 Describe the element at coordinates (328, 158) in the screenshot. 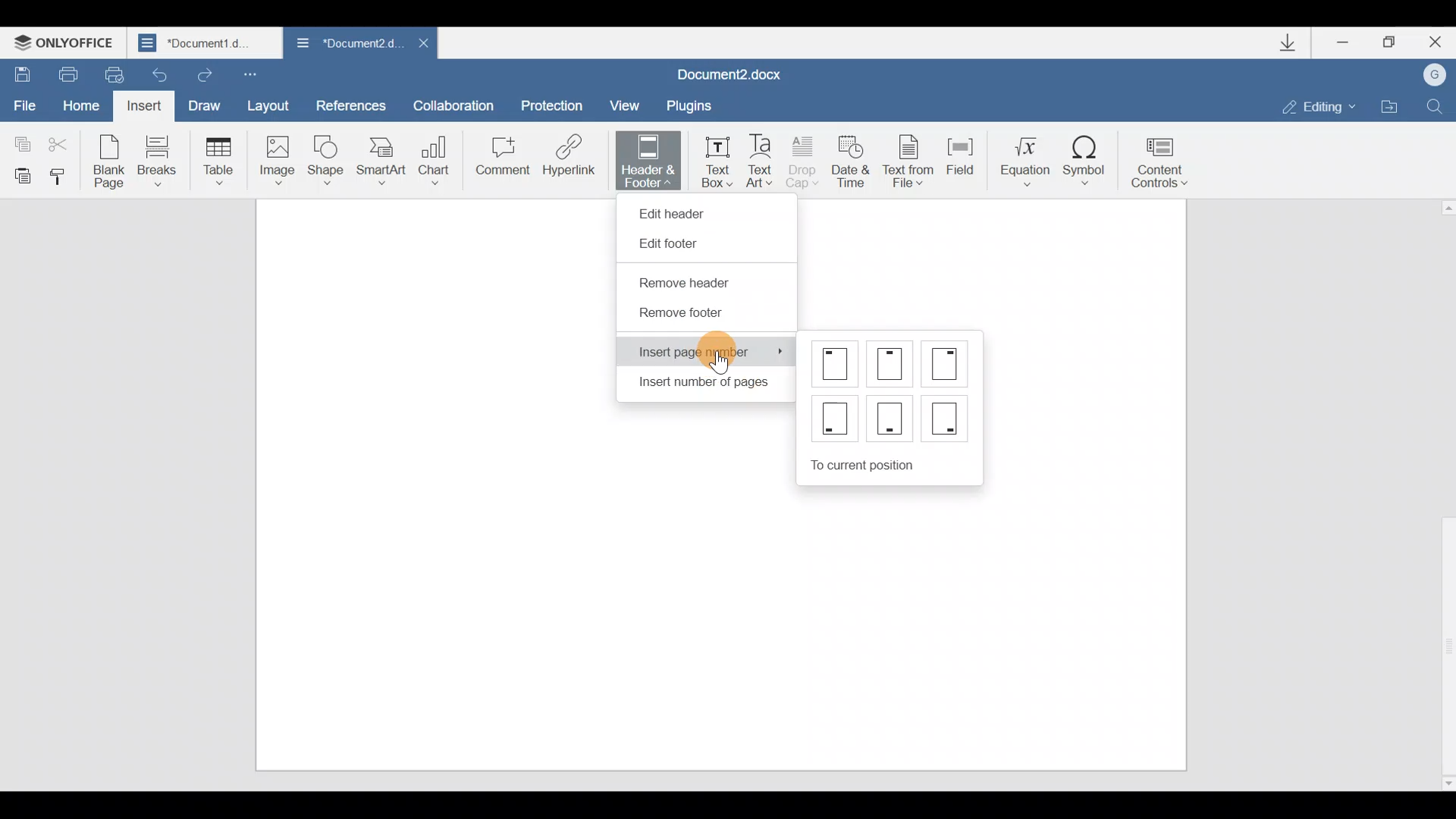

I see `Shape` at that location.